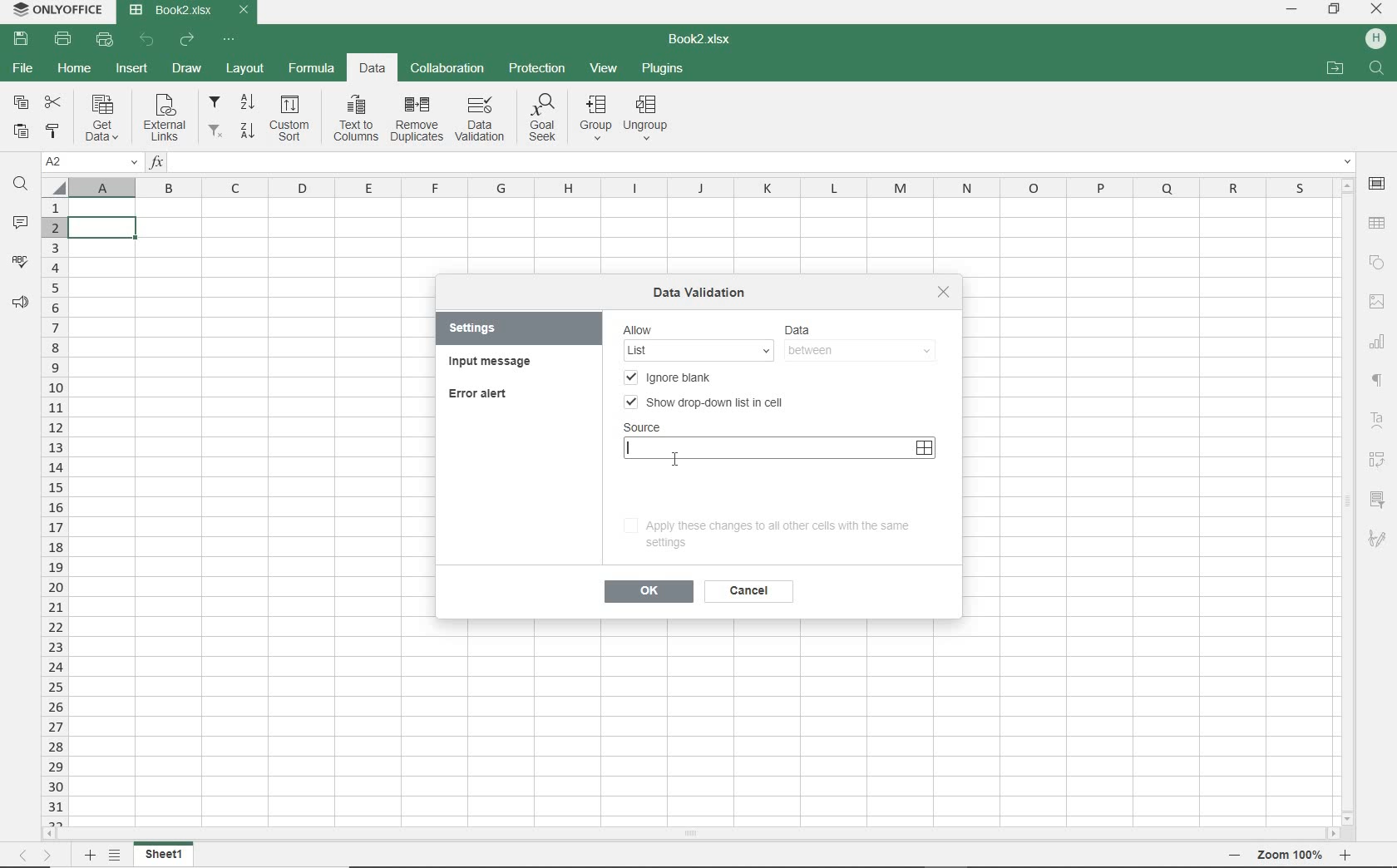 The height and width of the screenshot is (868, 1397). What do you see at coordinates (1336, 11) in the screenshot?
I see `RESTORE DOWN` at bounding box center [1336, 11].